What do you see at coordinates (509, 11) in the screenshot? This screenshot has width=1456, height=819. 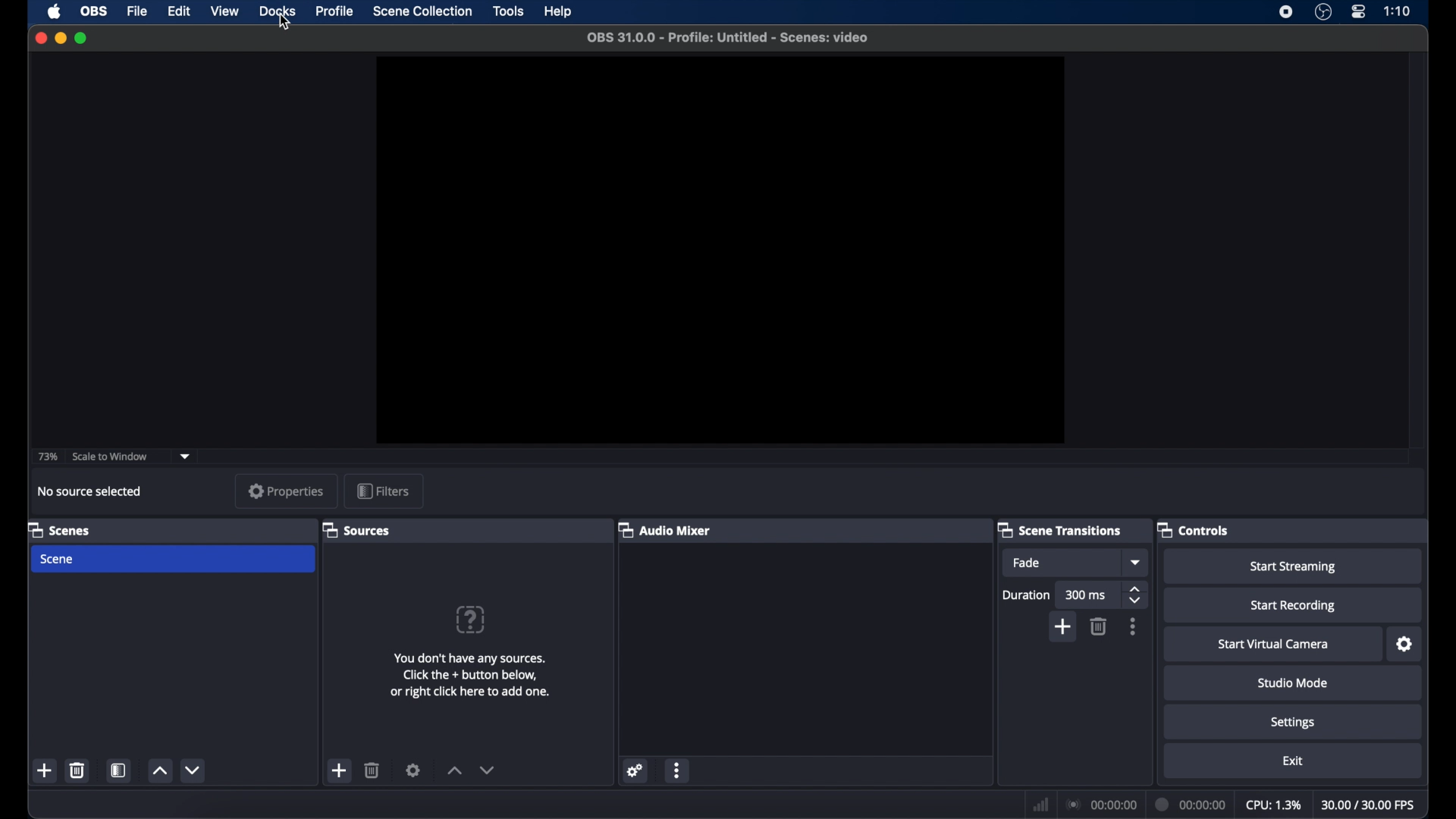 I see `tools` at bounding box center [509, 11].